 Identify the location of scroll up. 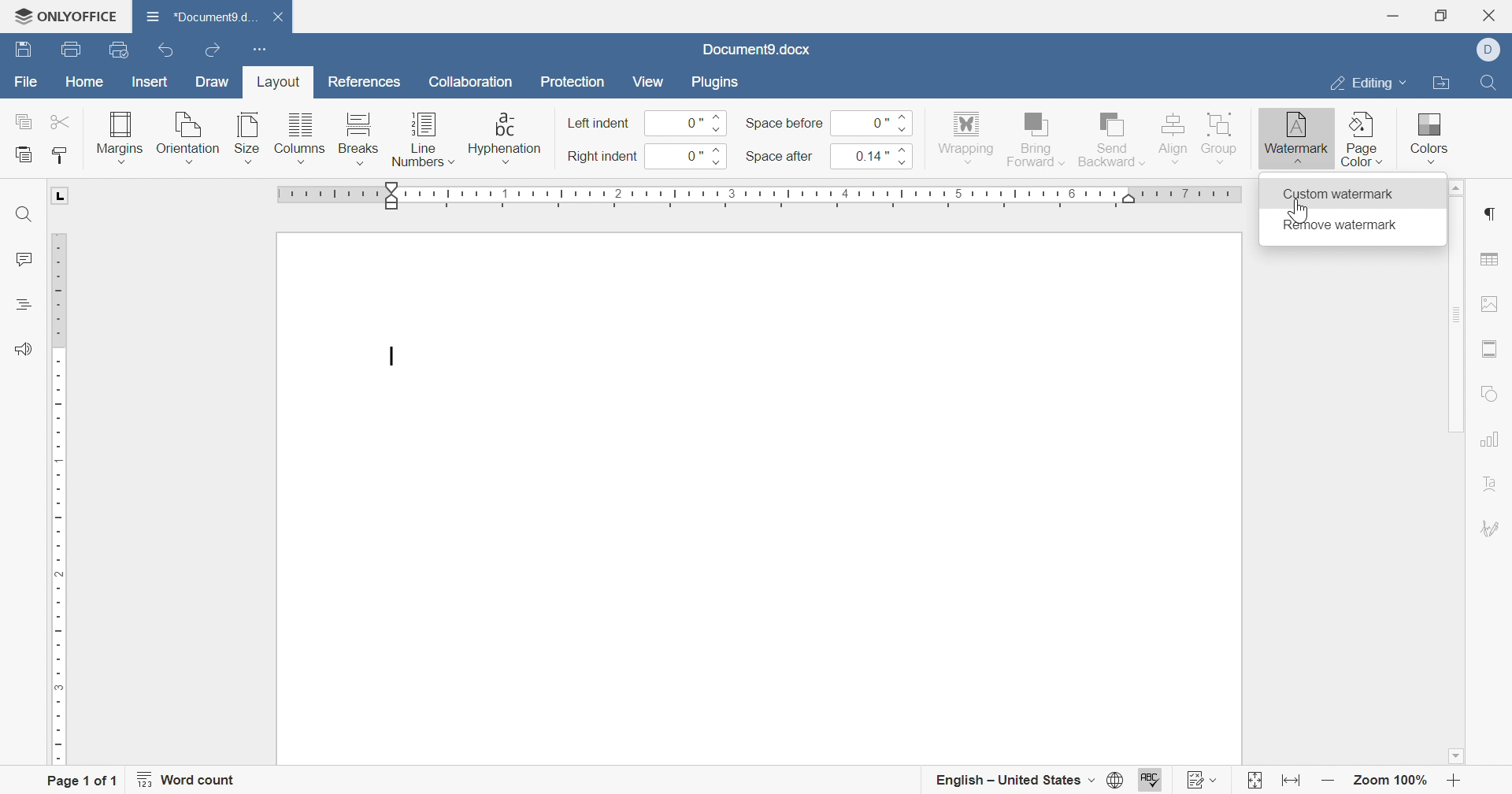
(1451, 187).